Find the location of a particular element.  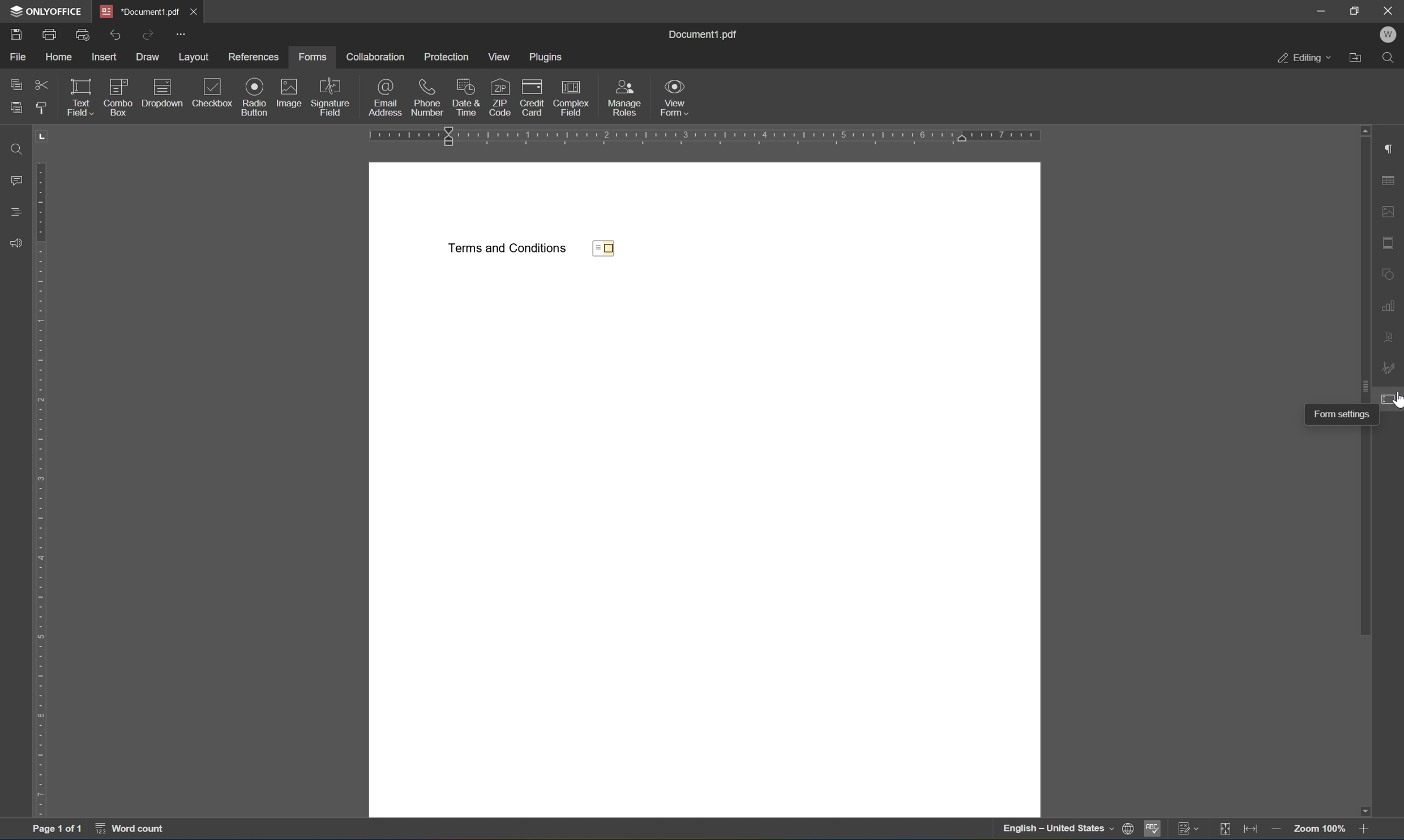

image settings is located at coordinates (1391, 212).